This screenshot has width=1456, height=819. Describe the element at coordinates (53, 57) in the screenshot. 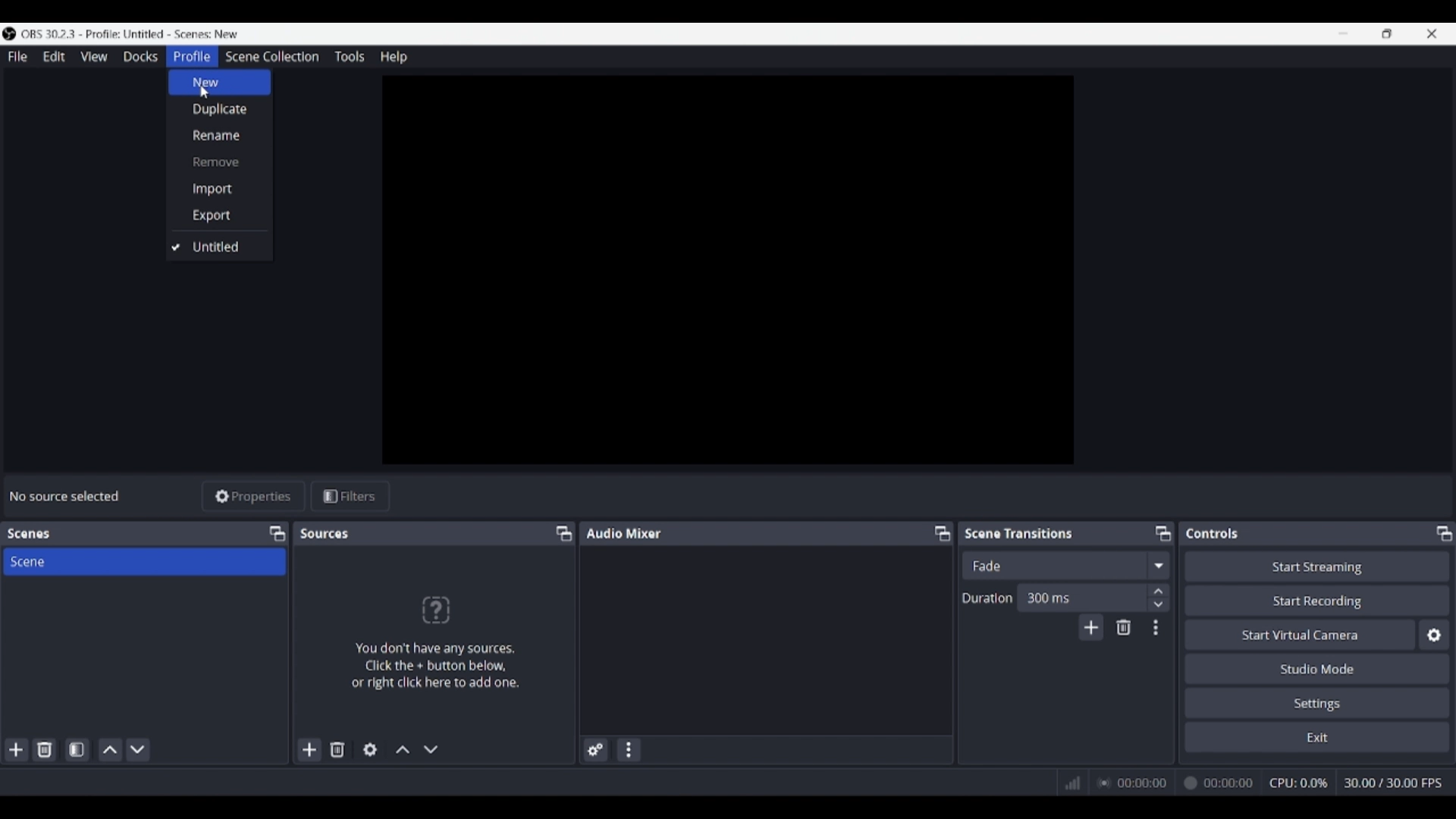

I see `Edit menu` at that location.